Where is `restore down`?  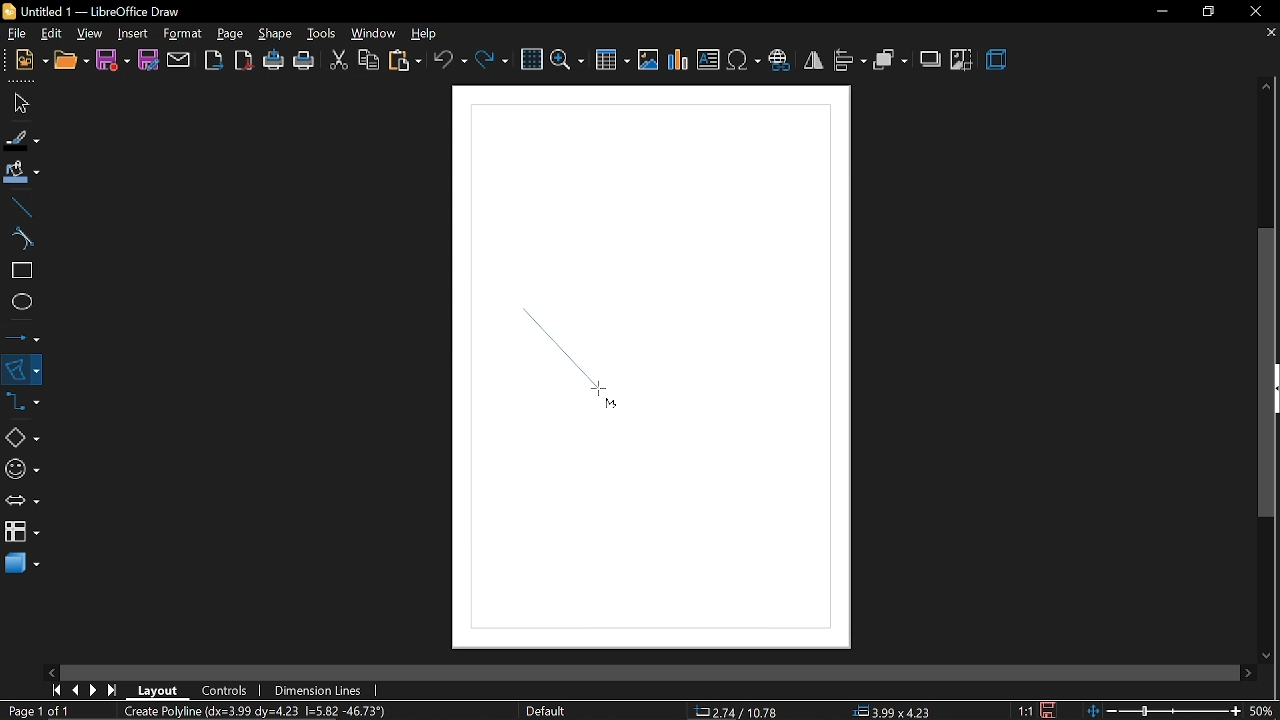 restore down is located at coordinates (1209, 11).